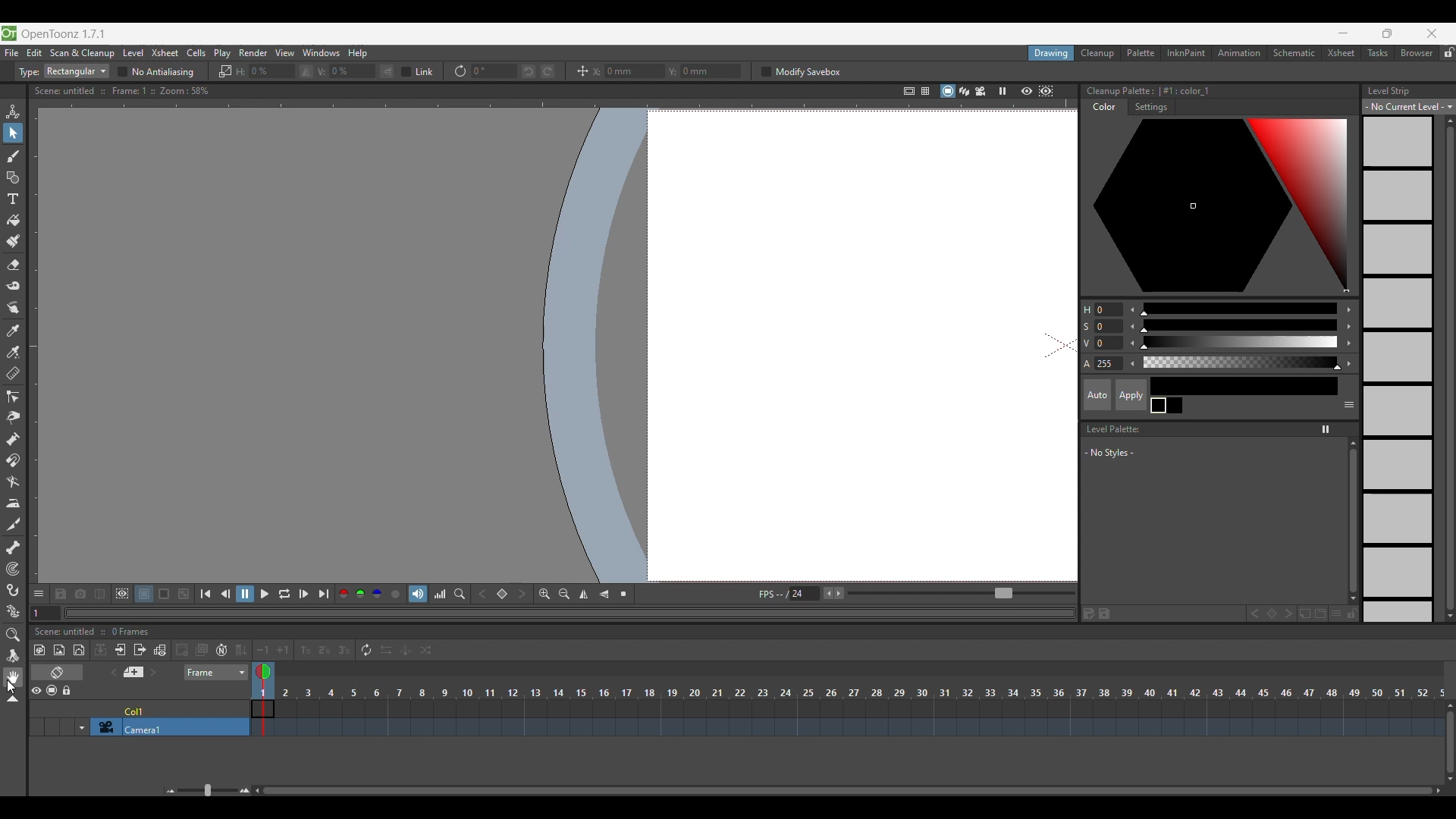 This screenshot has height=819, width=1456. Describe the element at coordinates (207, 791) in the screenshot. I see `Slider to zoom in/out` at that location.